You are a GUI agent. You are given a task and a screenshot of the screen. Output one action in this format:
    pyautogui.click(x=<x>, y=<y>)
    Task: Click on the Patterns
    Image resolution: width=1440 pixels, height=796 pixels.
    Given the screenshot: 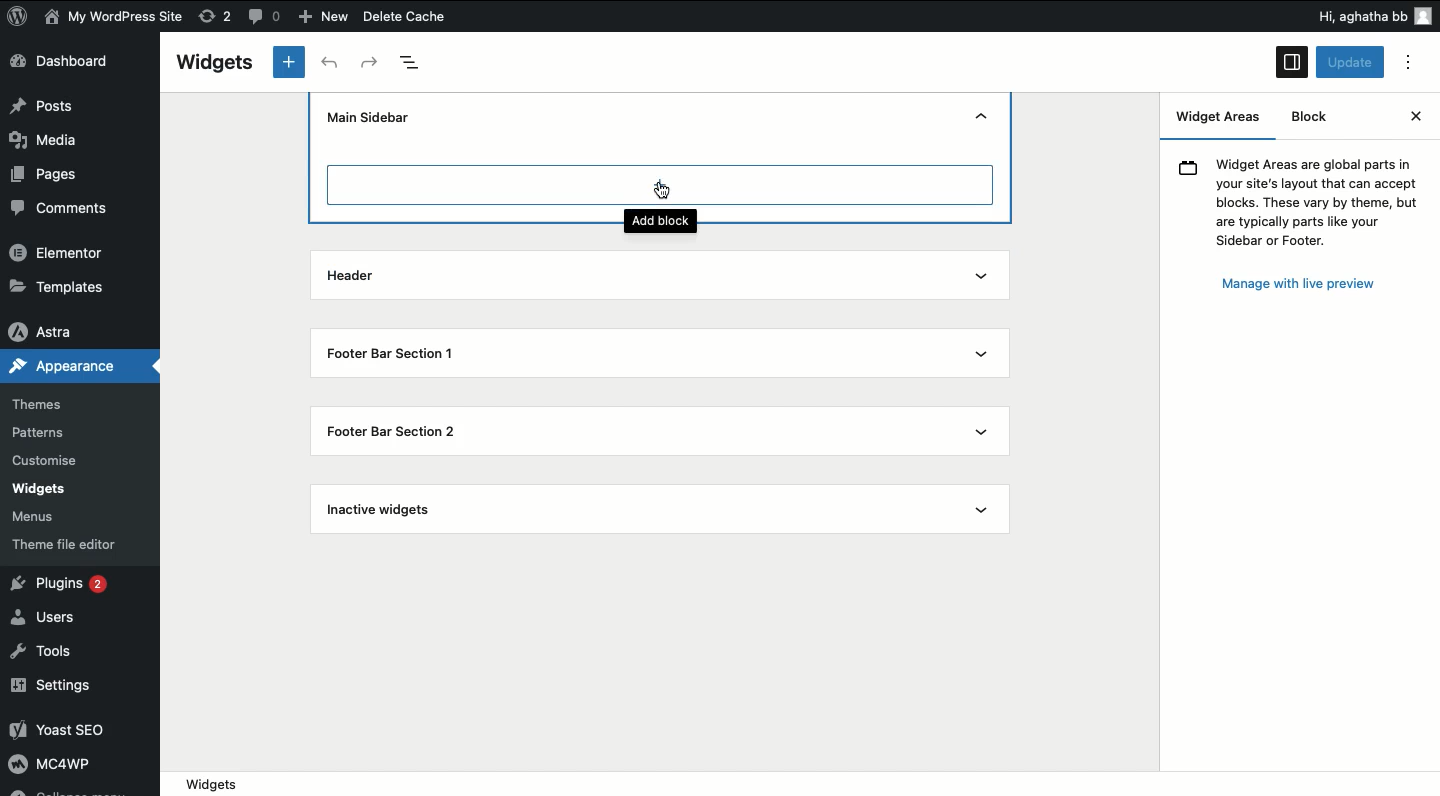 What is the action you would take?
    pyautogui.click(x=45, y=430)
    